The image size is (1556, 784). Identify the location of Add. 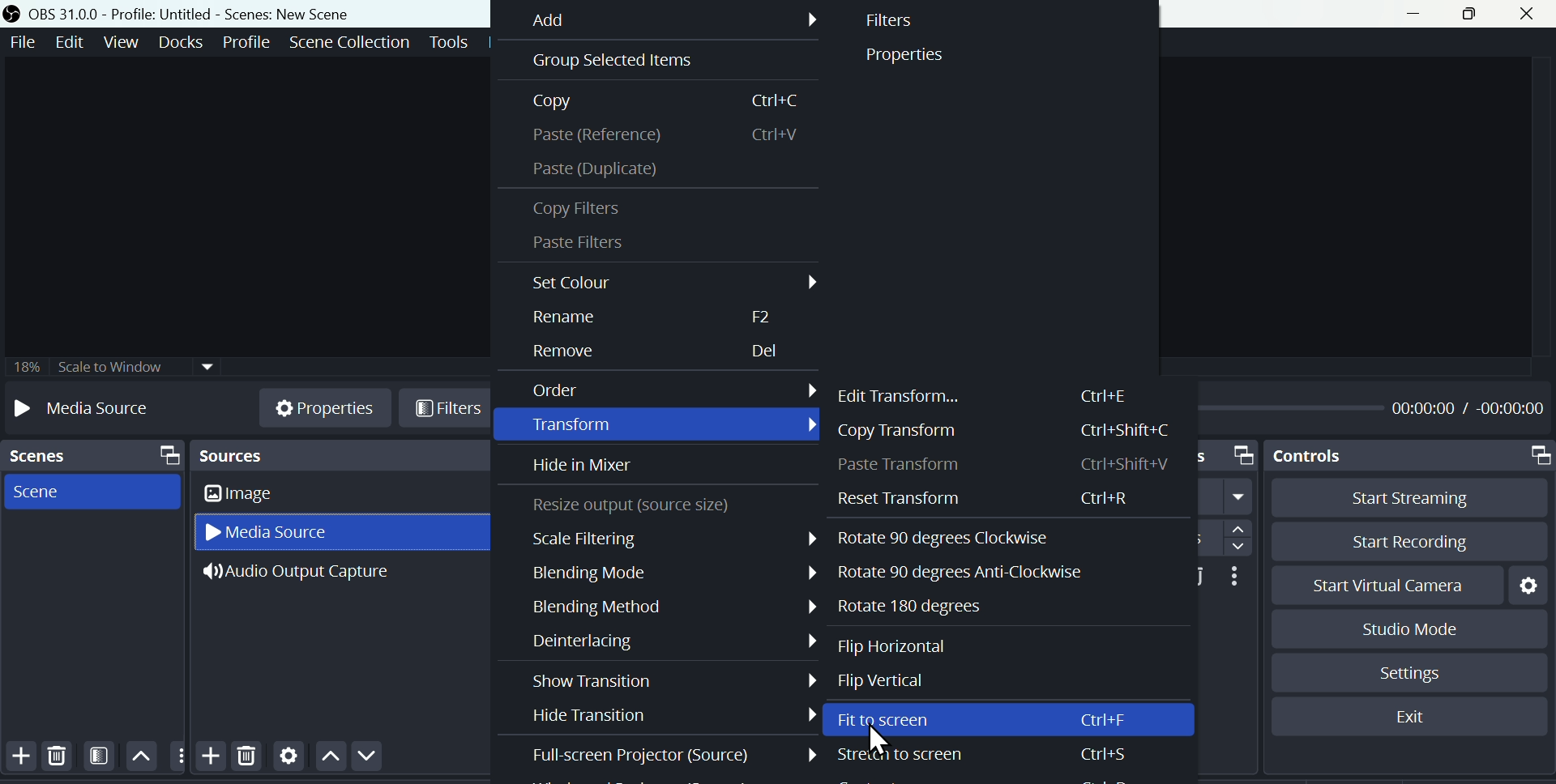
(19, 758).